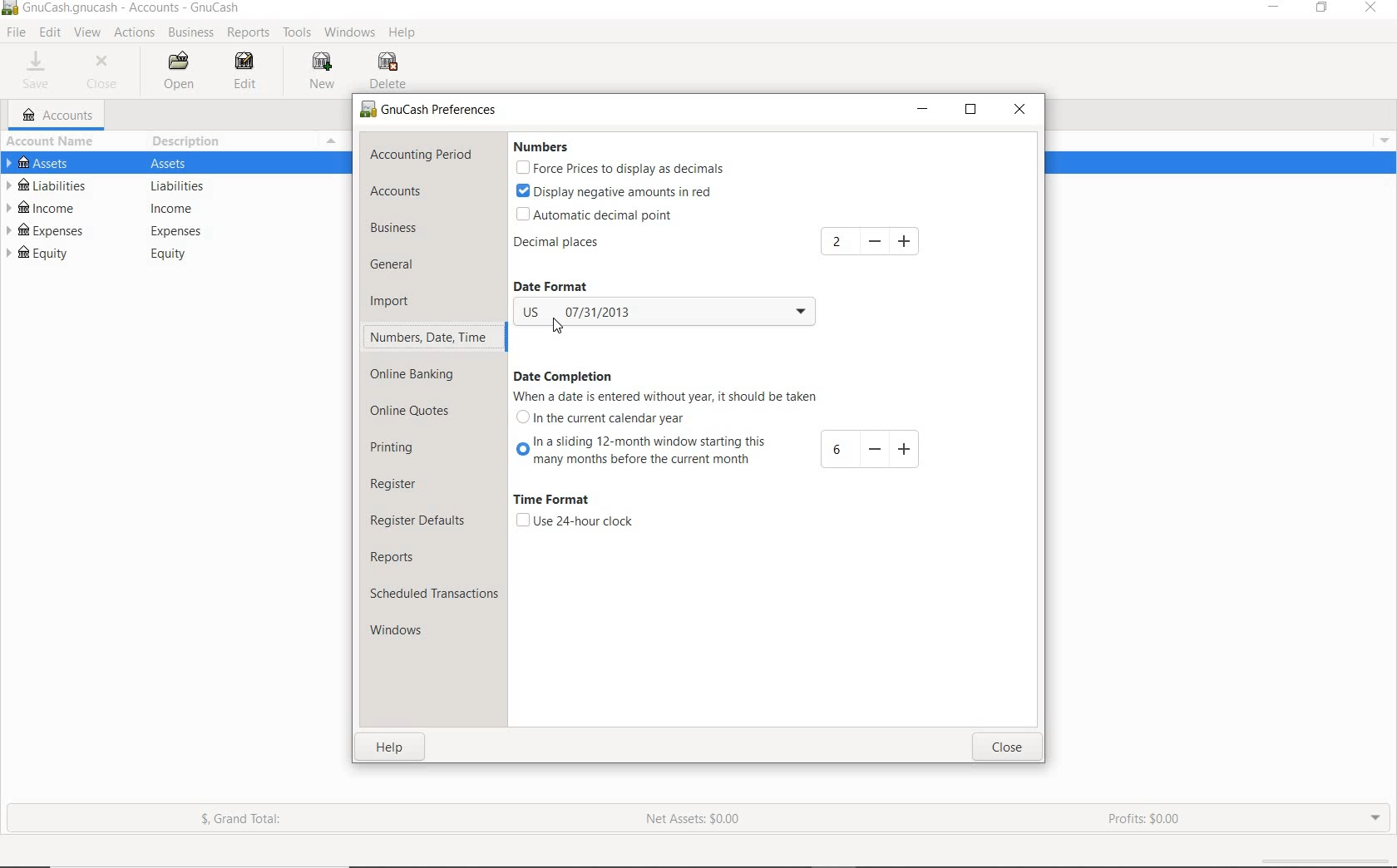  Describe the element at coordinates (429, 111) in the screenshot. I see `GnuCash Preferences` at that location.